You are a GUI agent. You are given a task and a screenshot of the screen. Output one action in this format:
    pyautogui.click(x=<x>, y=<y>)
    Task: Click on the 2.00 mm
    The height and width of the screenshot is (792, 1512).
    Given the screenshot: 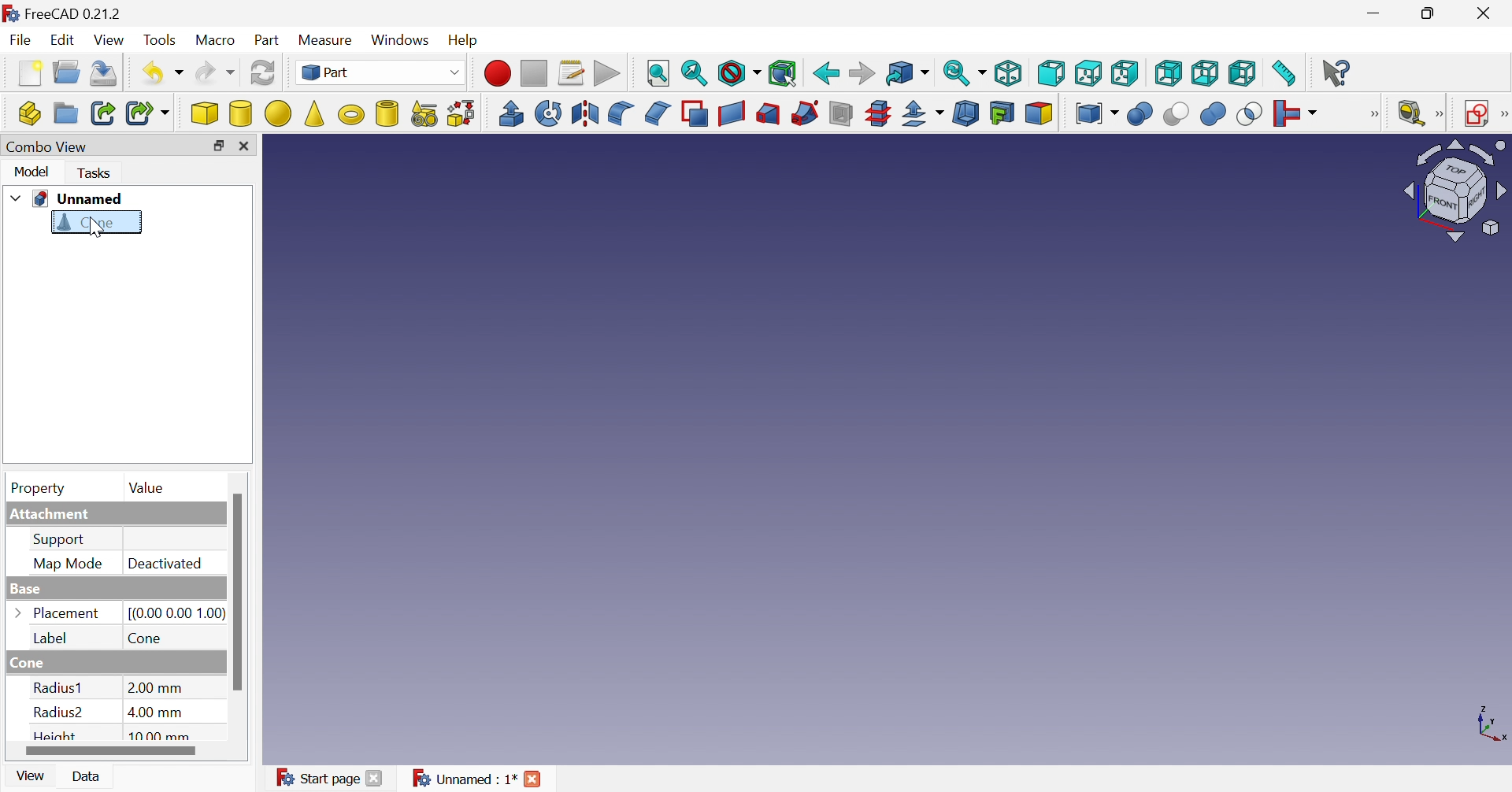 What is the action you would take?
    pyautogui.click(x=153, y=689)
    